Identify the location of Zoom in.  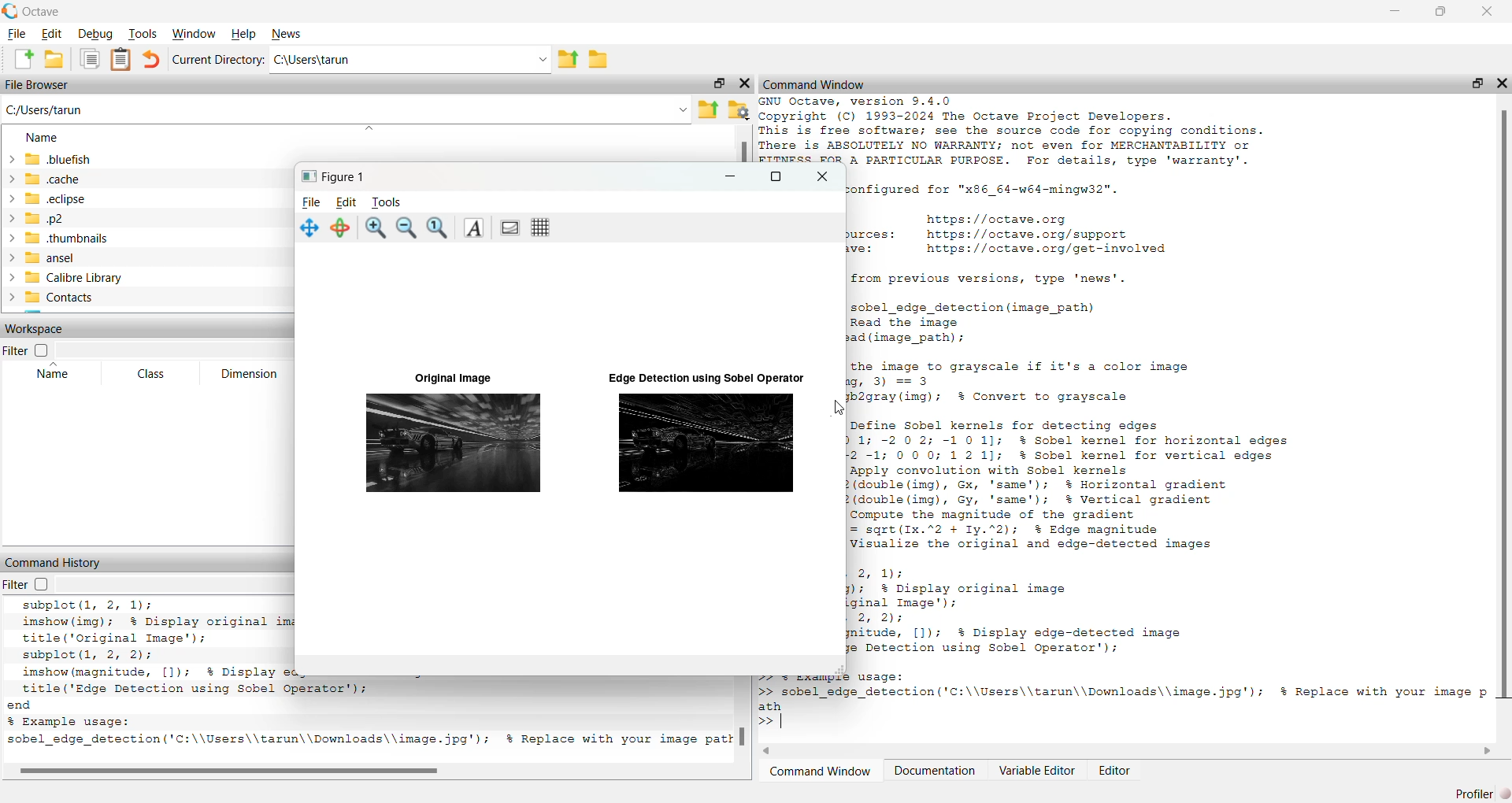
(377, 229).